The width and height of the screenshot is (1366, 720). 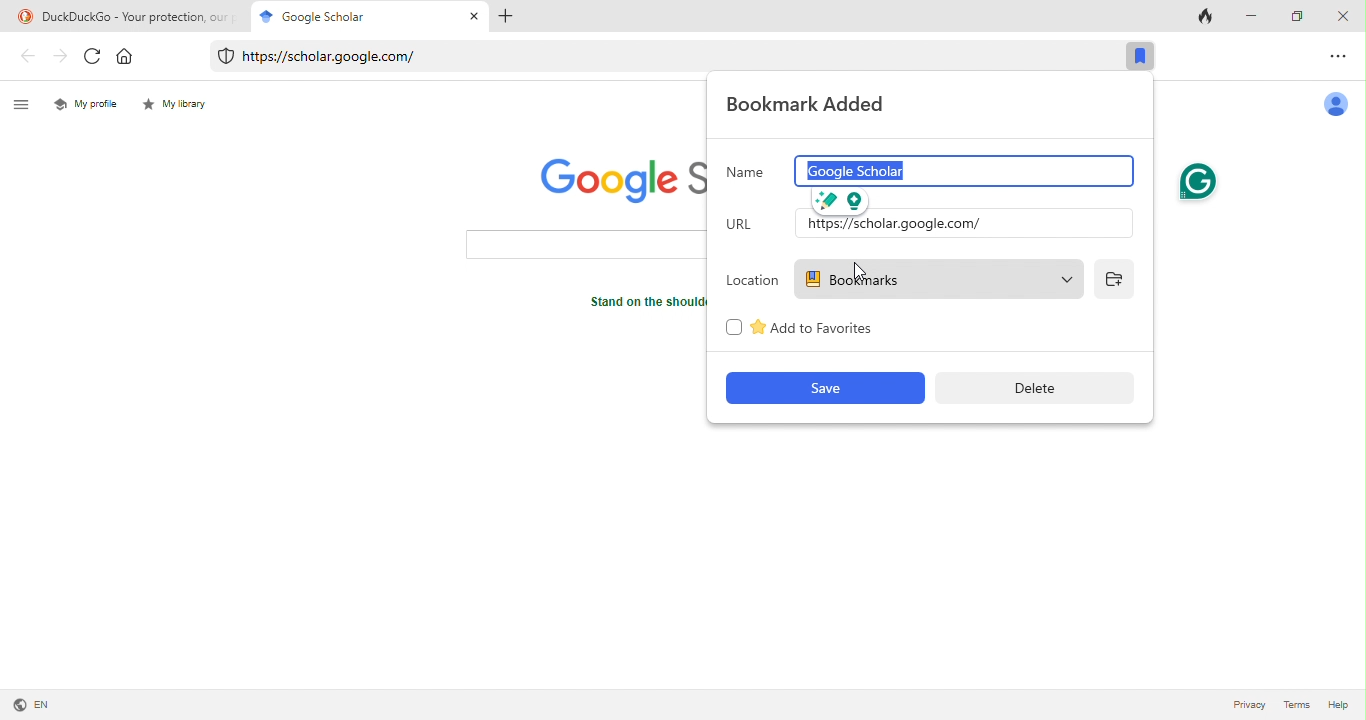 What do you see at coordinates (1140, 57) in the screenshot?
I see `bookmark` at bounding box center [1140, 57].